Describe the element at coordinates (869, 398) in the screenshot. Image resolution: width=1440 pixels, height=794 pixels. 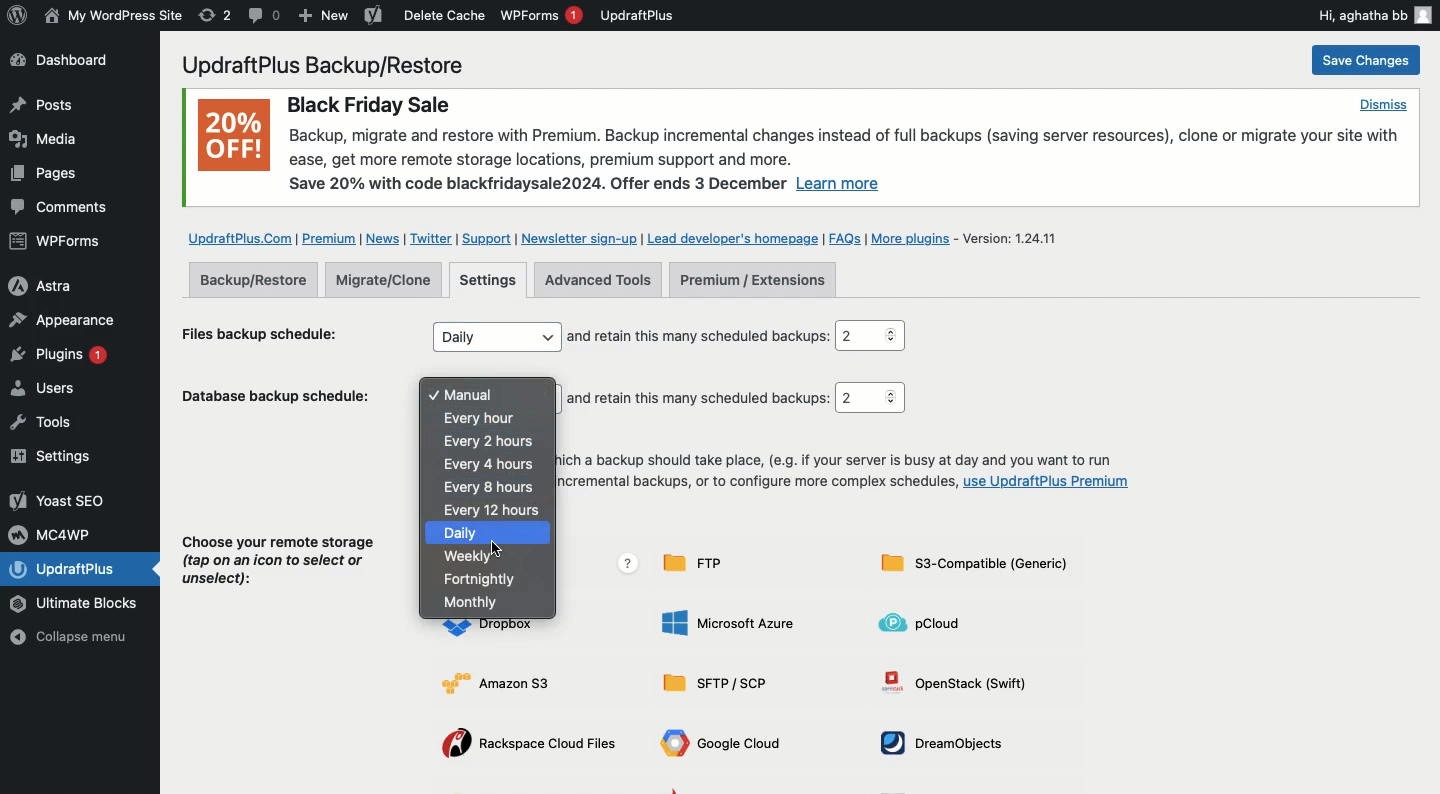
I see `2` at that location.